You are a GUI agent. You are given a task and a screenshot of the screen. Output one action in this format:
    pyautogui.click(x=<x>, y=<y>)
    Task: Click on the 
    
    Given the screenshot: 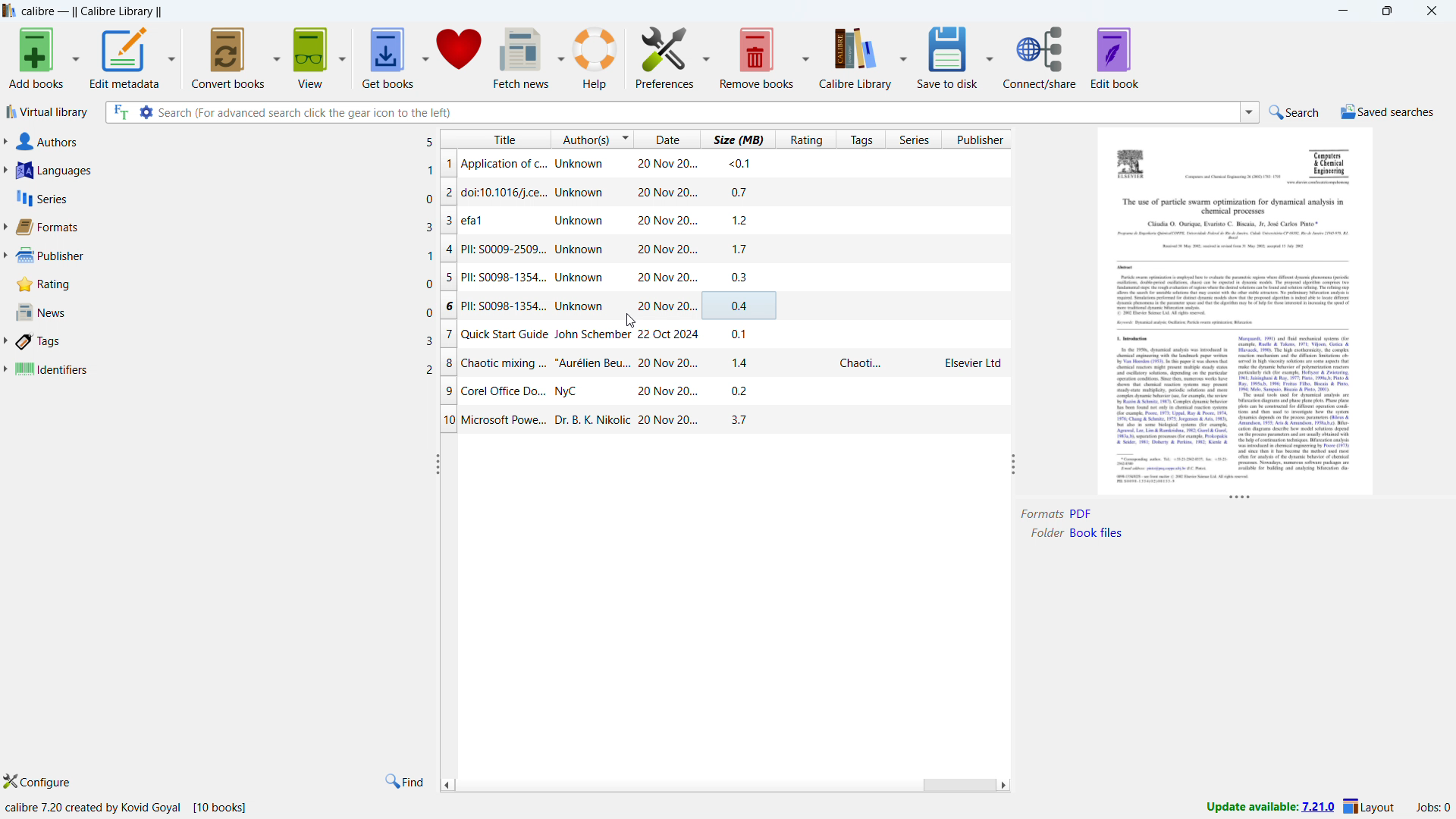 What is the action you would take?
    pyautogui.click(x=1084, y=513)
    